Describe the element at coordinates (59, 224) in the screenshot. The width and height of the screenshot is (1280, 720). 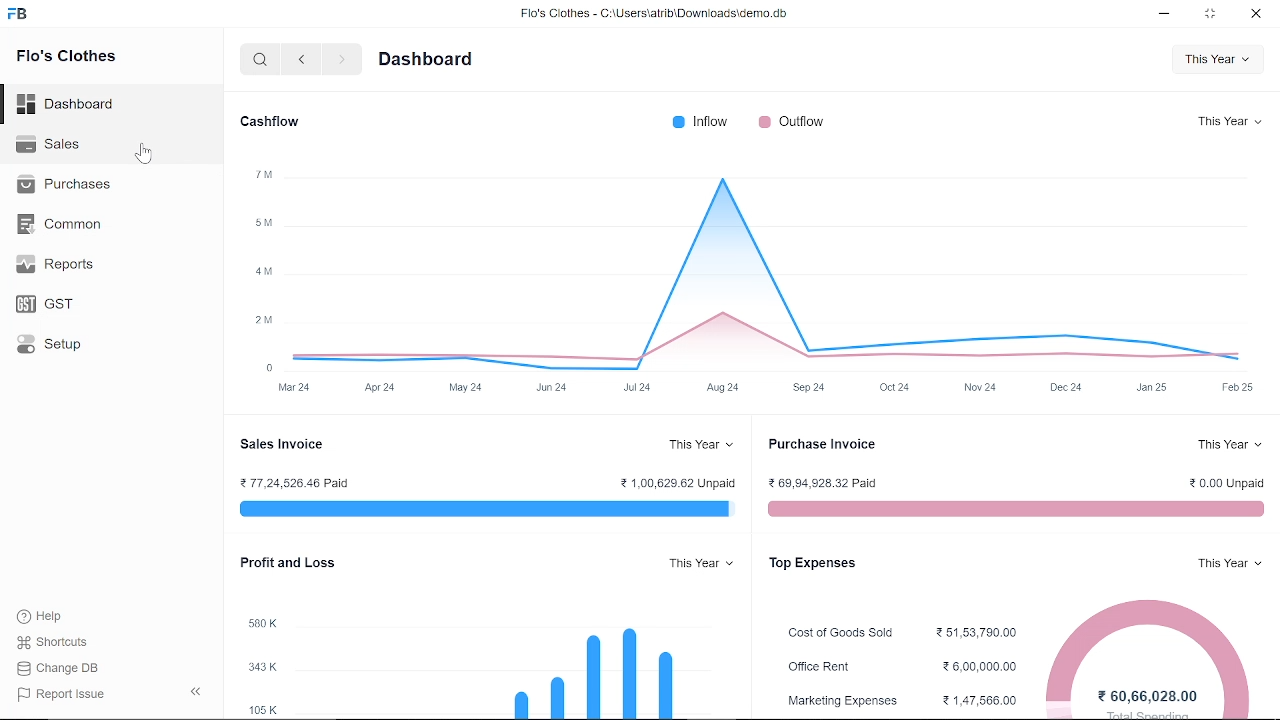
I see `Common` at that location.